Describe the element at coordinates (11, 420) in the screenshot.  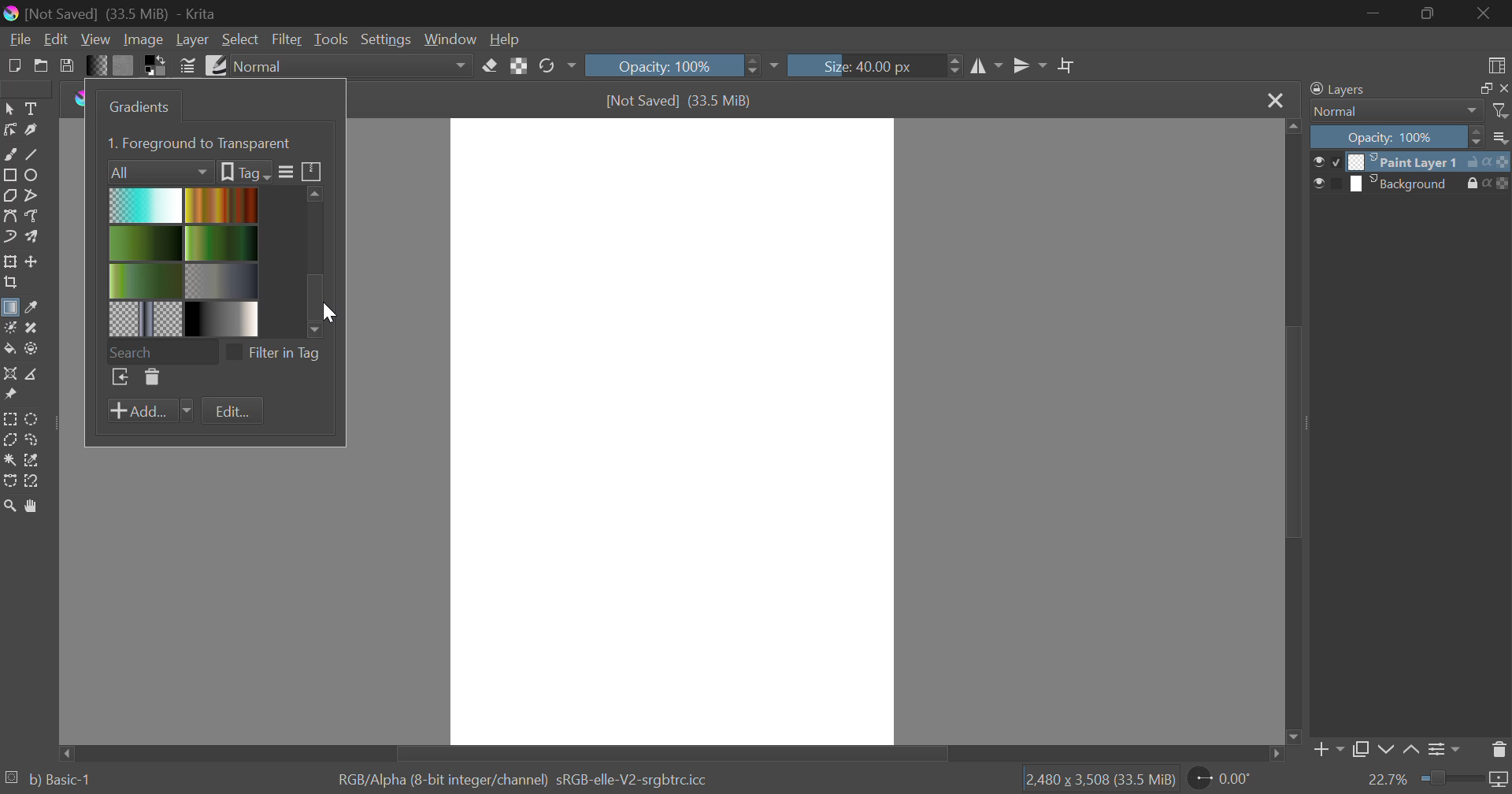
I see `Rectangular Selection` at that location.